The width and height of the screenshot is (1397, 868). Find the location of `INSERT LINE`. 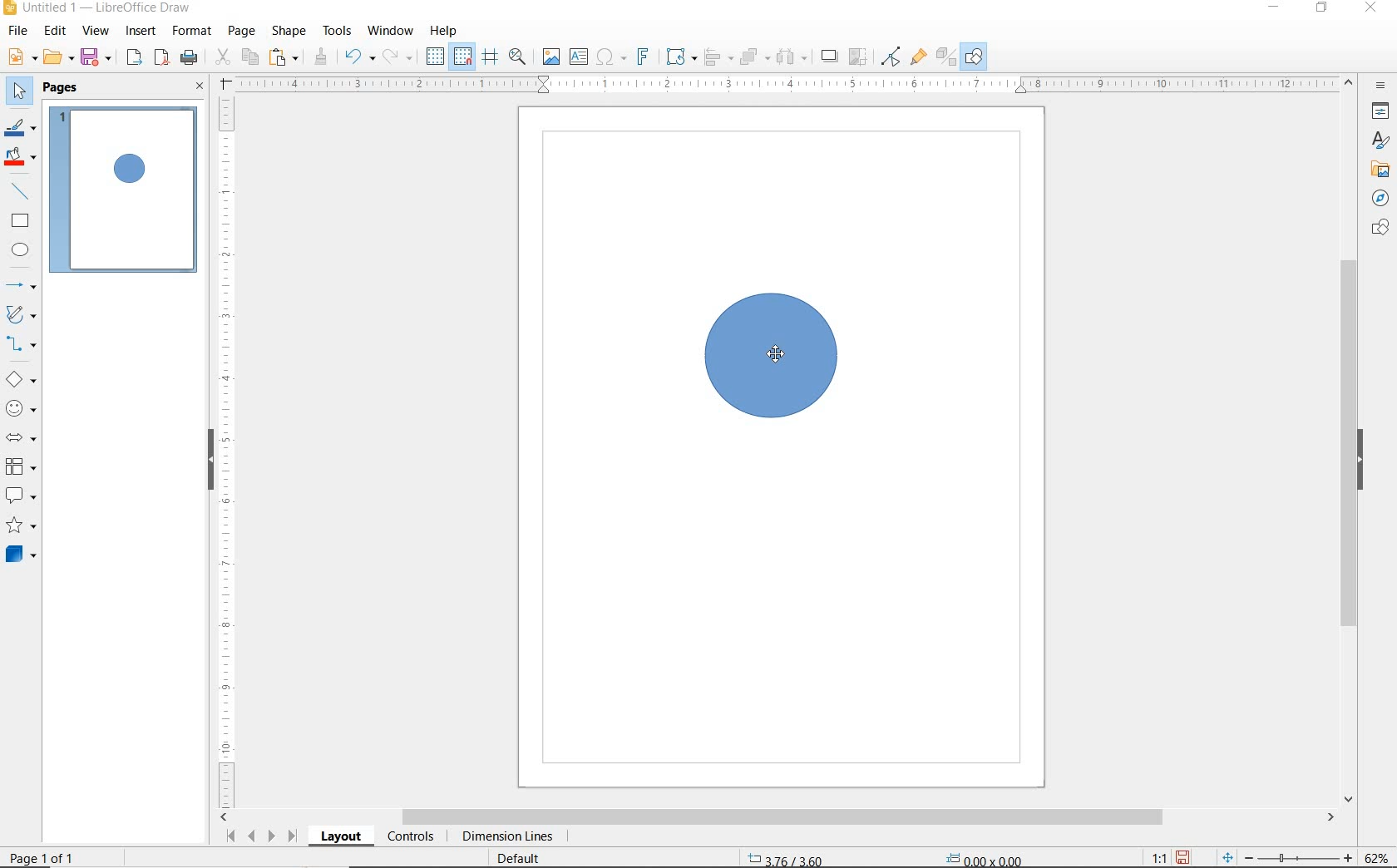

INSERT LINE is located at coordinates (24, 190).